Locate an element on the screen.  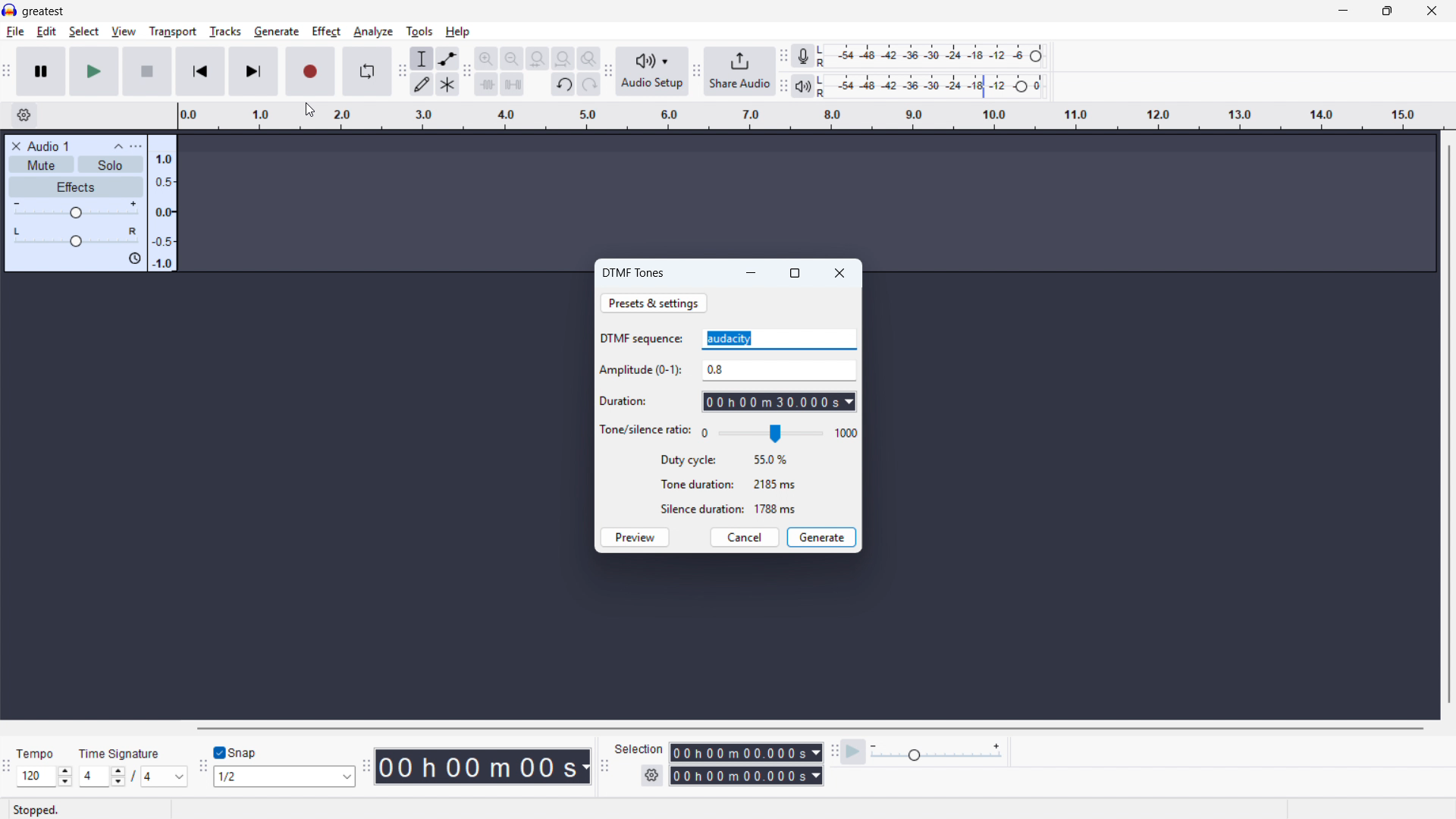
Time toolbar  is located at coordinates (369, 767).